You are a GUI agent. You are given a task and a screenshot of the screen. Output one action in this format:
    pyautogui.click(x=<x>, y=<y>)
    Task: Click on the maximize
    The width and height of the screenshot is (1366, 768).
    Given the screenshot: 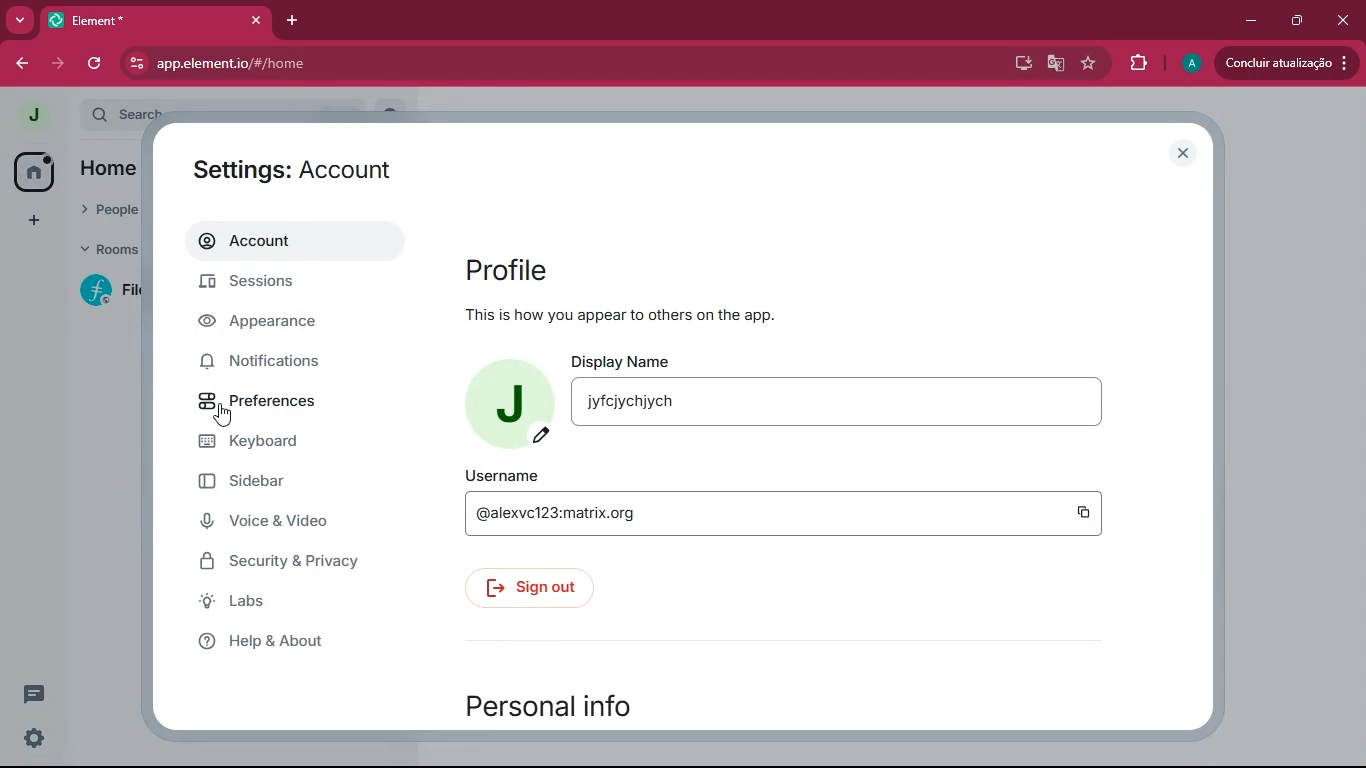 What is the action you would take?
    pyautogui.click(x=1299, y=19)
    